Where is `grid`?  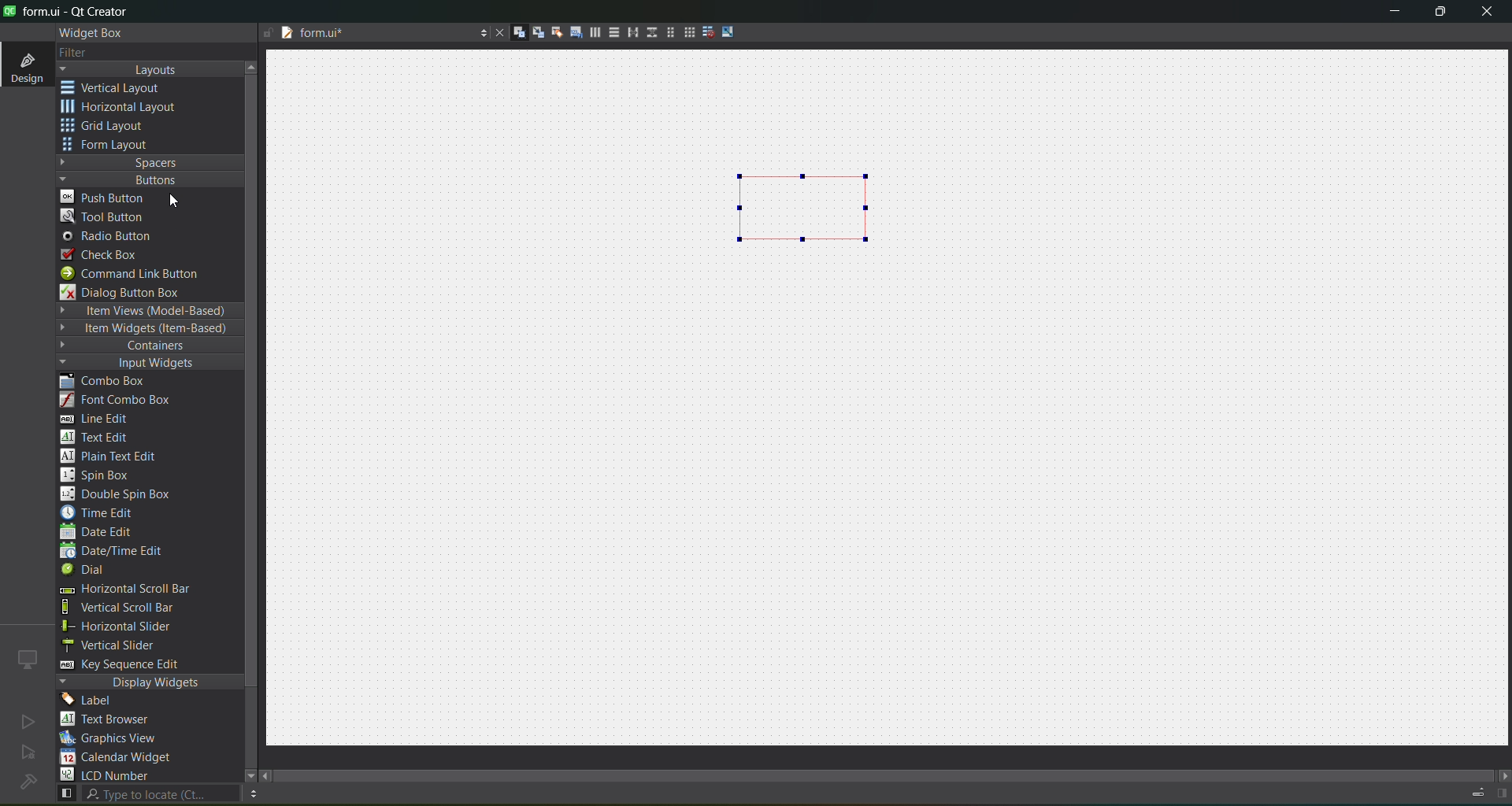 grid is located at coordinates (113, 128).